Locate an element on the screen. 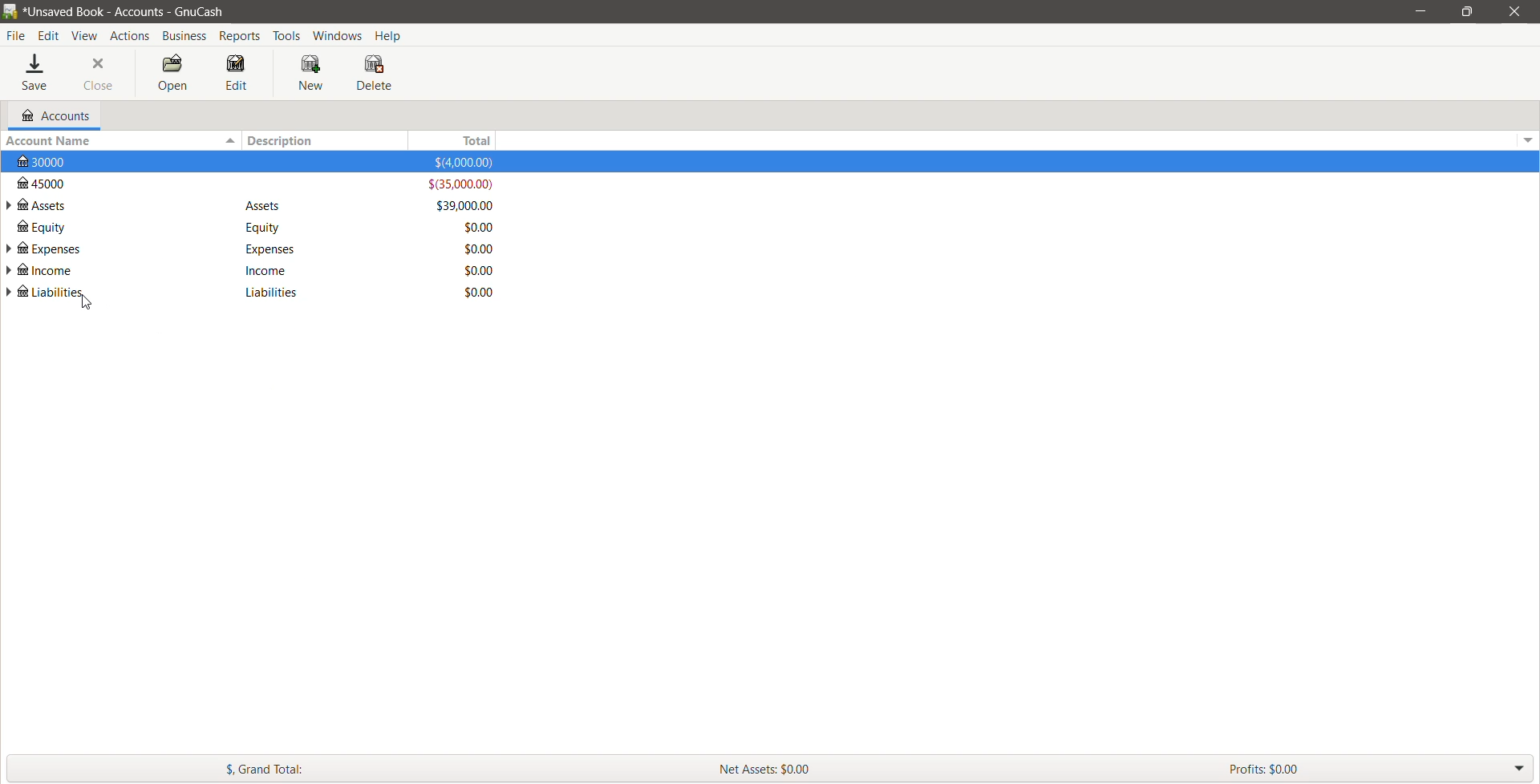  Current Book Name - Accounts - Application Name is located at coordinates (136, 11).